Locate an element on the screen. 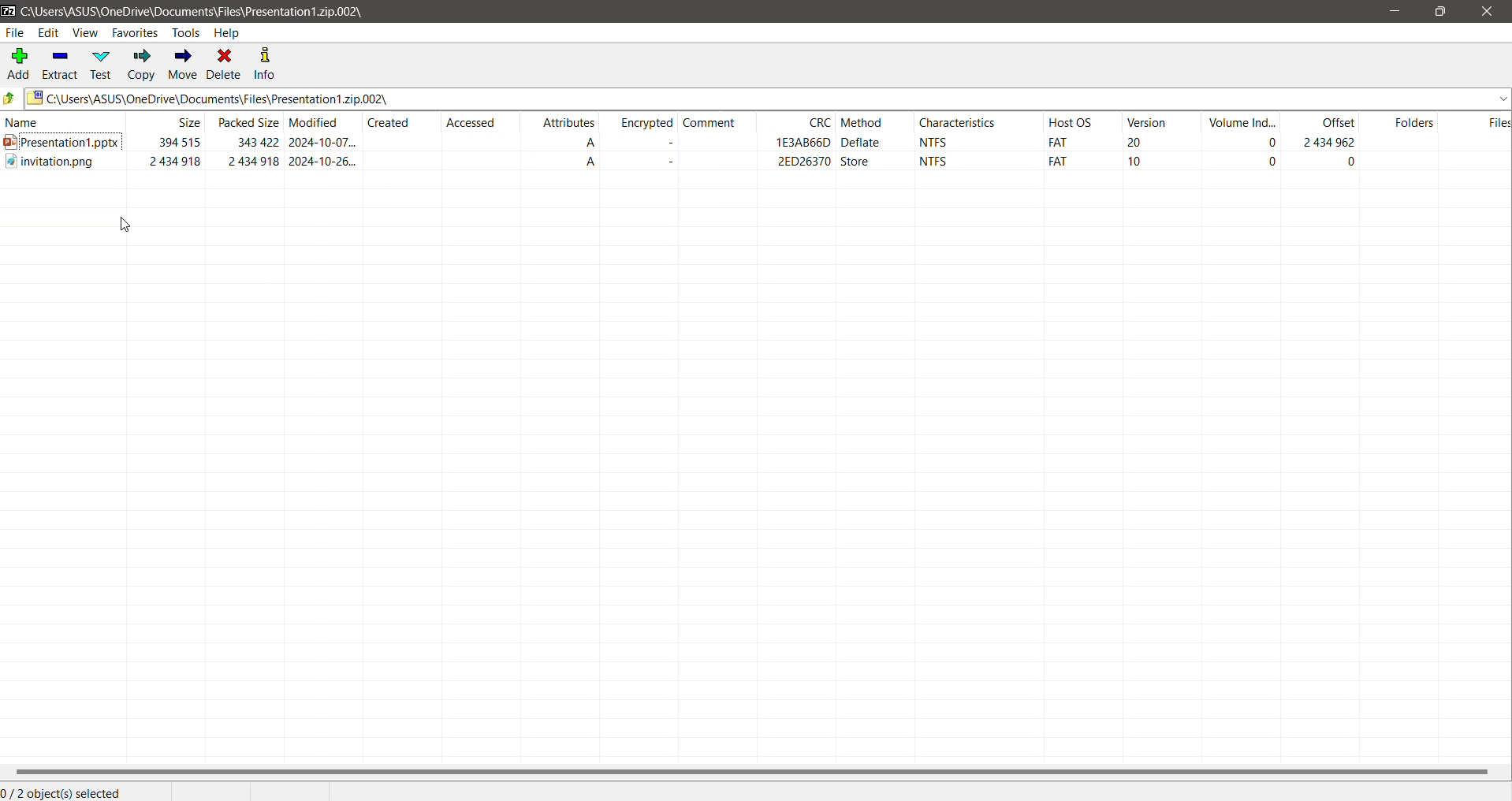 The width and height of the screenshot is (1512, 801). Host OS is located at coordinates (1082, 122).